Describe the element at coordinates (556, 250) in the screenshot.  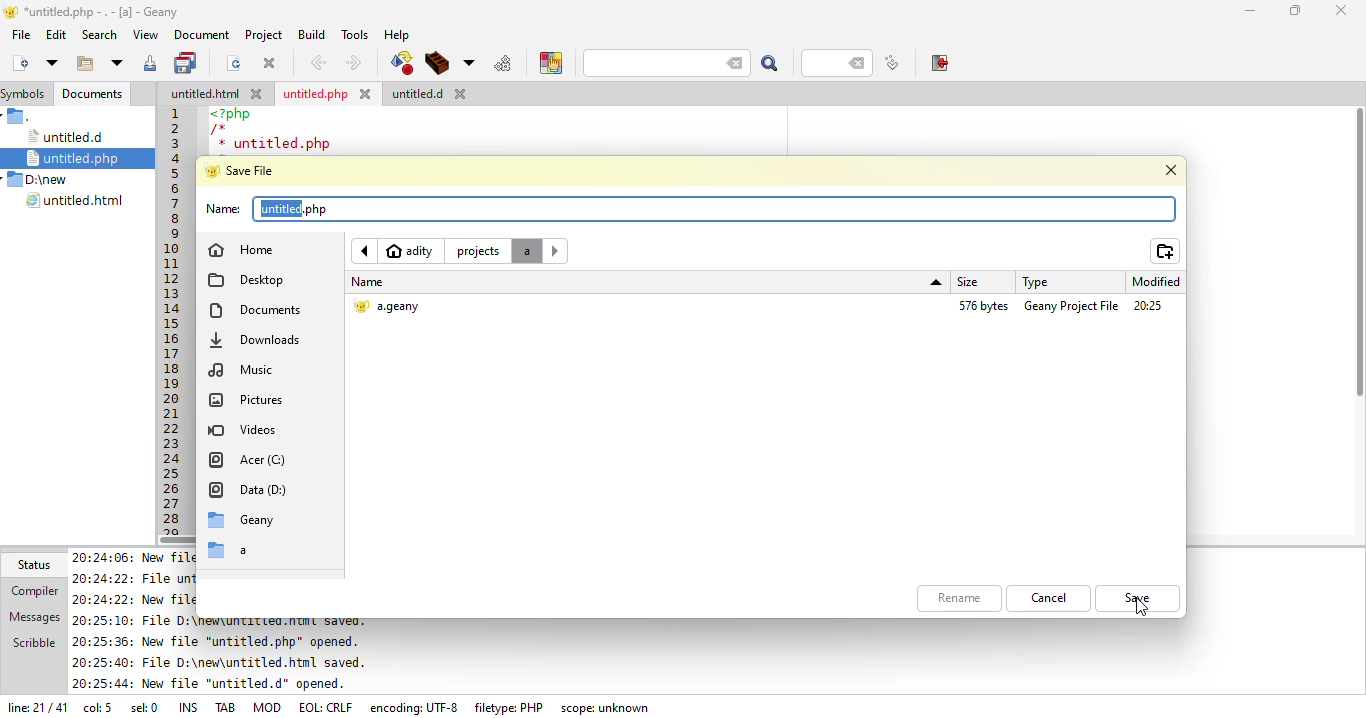
I see `next` at that location.